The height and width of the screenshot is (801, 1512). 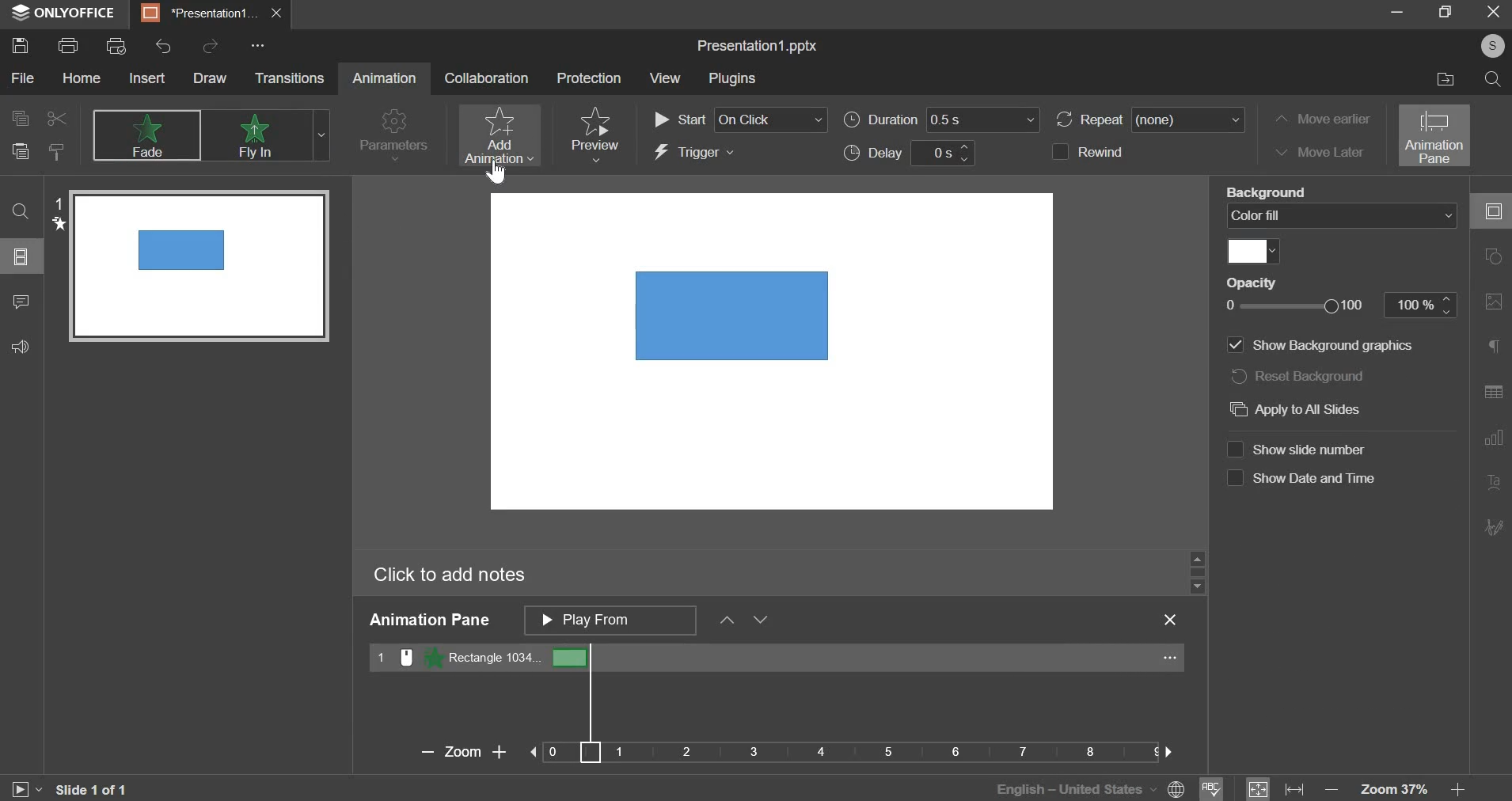 I want to click on parameters, so click(x=396, y=133).